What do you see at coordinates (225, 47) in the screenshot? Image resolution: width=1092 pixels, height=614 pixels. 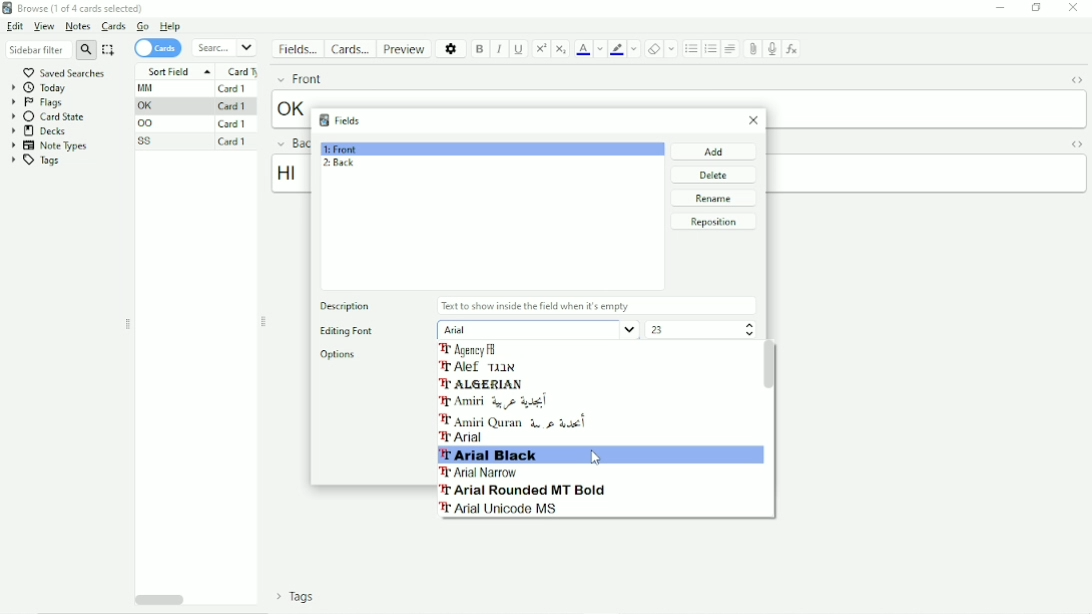 I see `Search` at bounding box center [225, 47].